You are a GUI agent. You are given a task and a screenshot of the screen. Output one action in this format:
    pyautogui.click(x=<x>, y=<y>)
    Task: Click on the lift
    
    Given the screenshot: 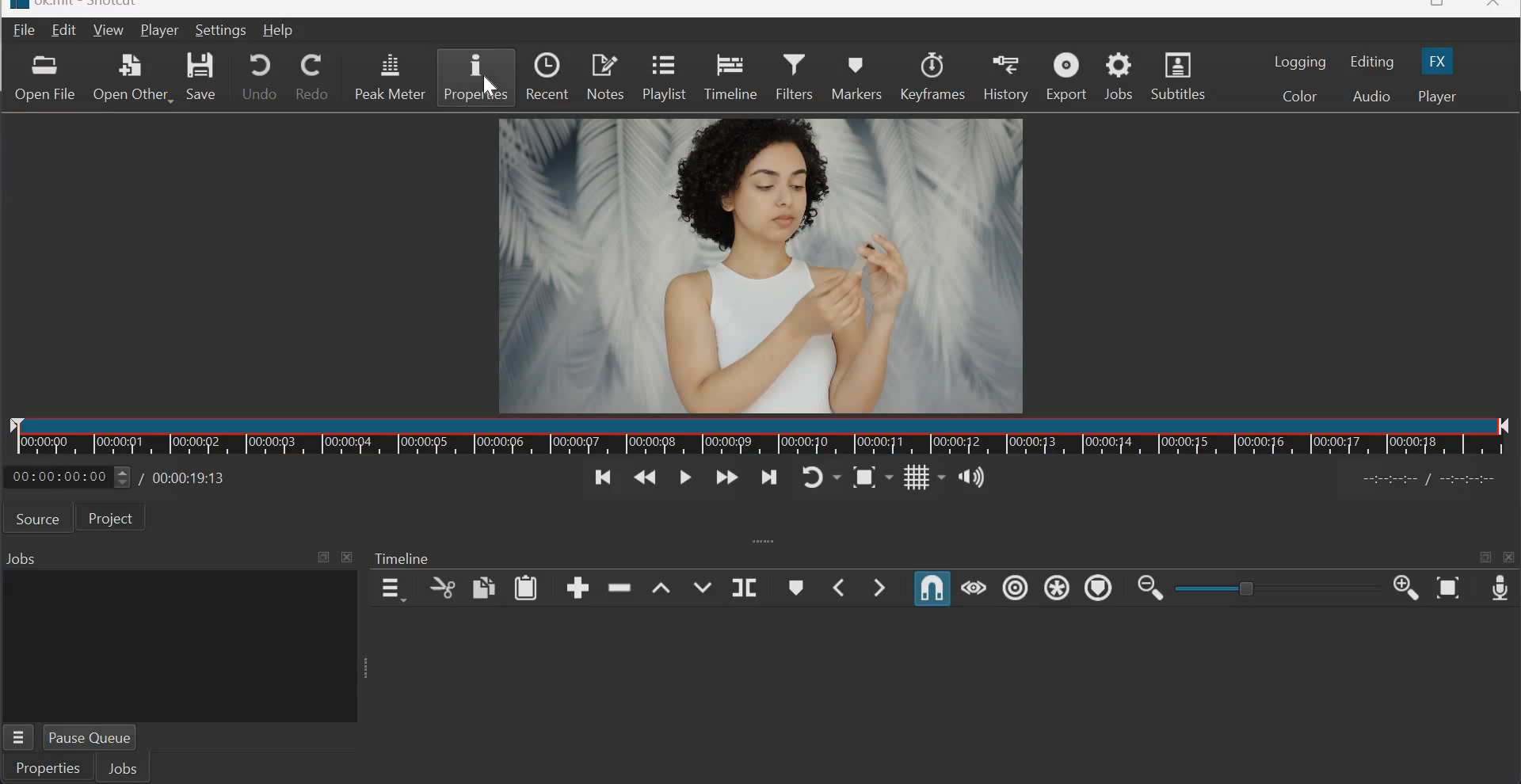 What is the action you would take?
    pyautogui.click(x=661, y=585)
    